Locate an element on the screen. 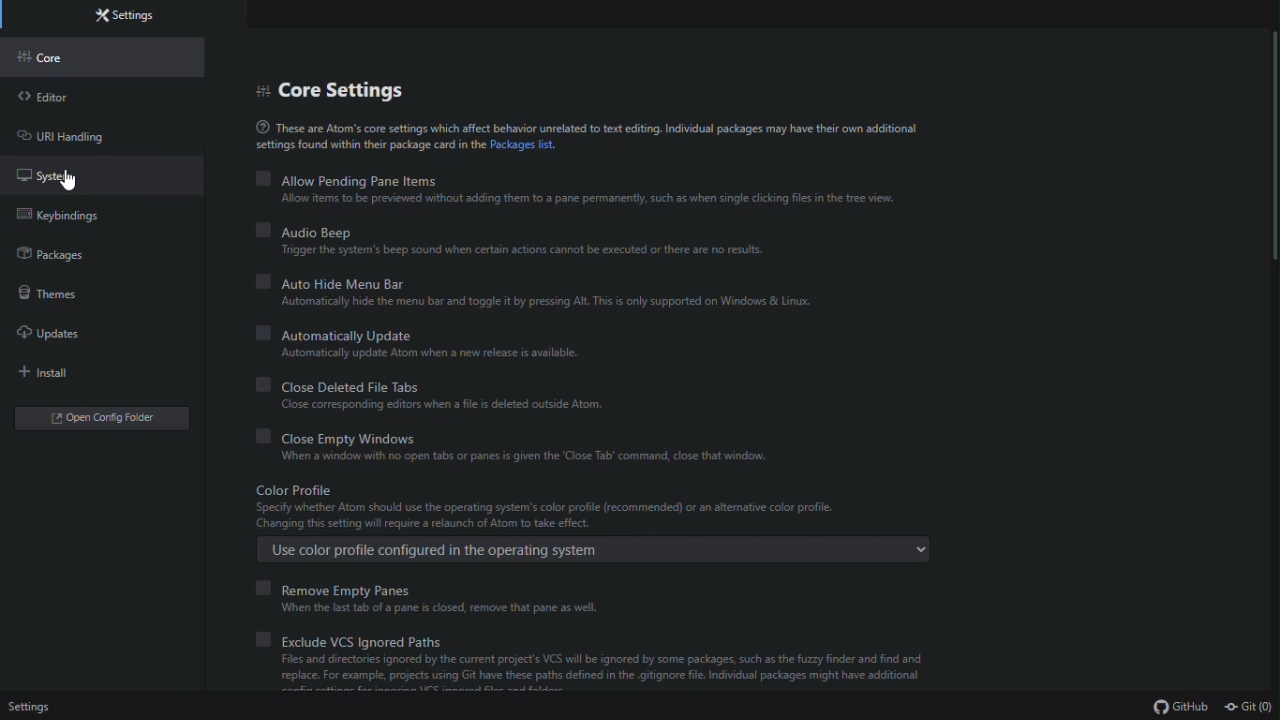 The image size is (1280, 720). Allow items to be previewed without adding them to a pane permanently, such as when single clicking files in the tree view. is located at coordinates (588, 199).